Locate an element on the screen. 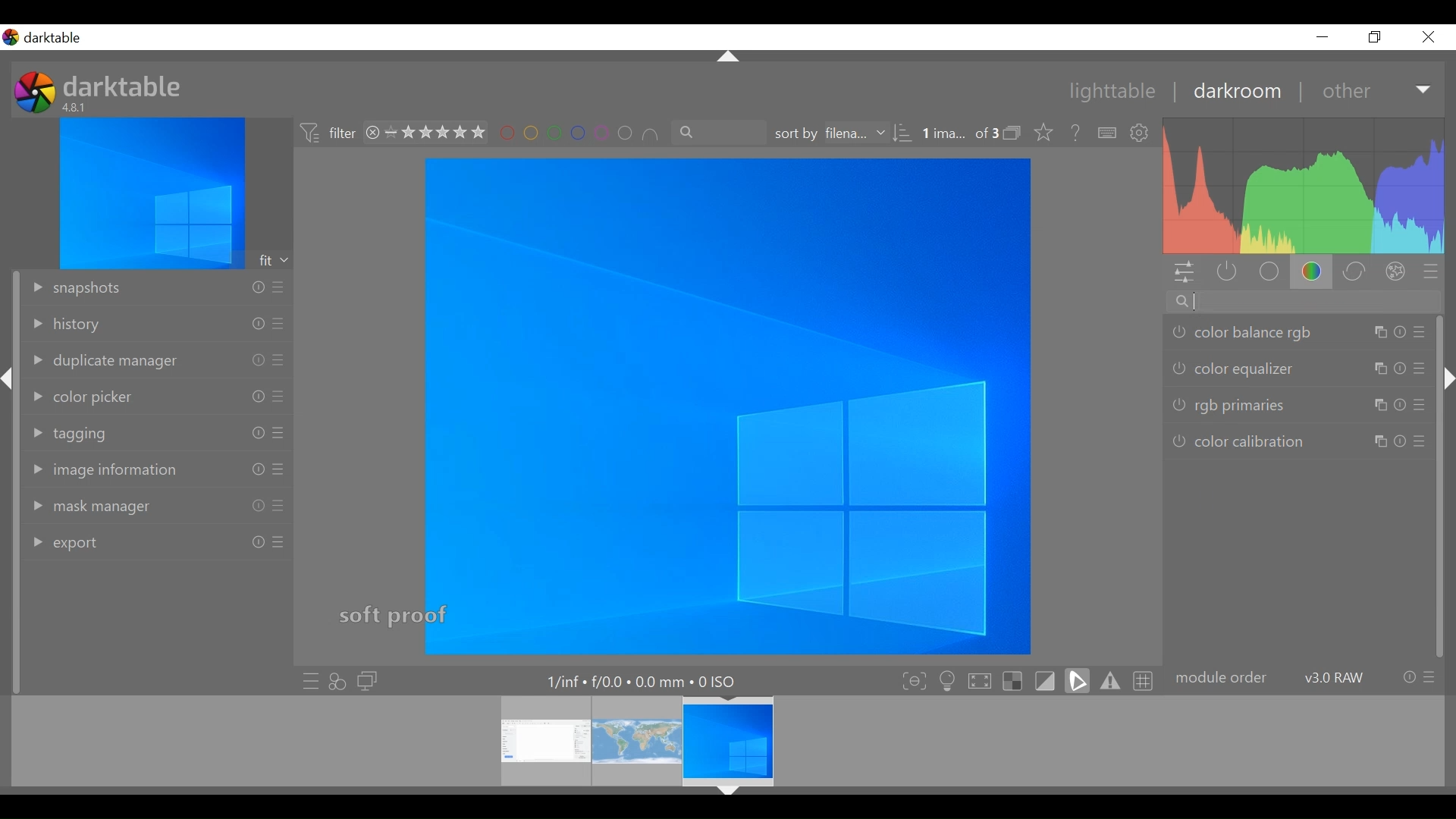 The image size is (1456, 819). info is located at coordinates (257, 433).